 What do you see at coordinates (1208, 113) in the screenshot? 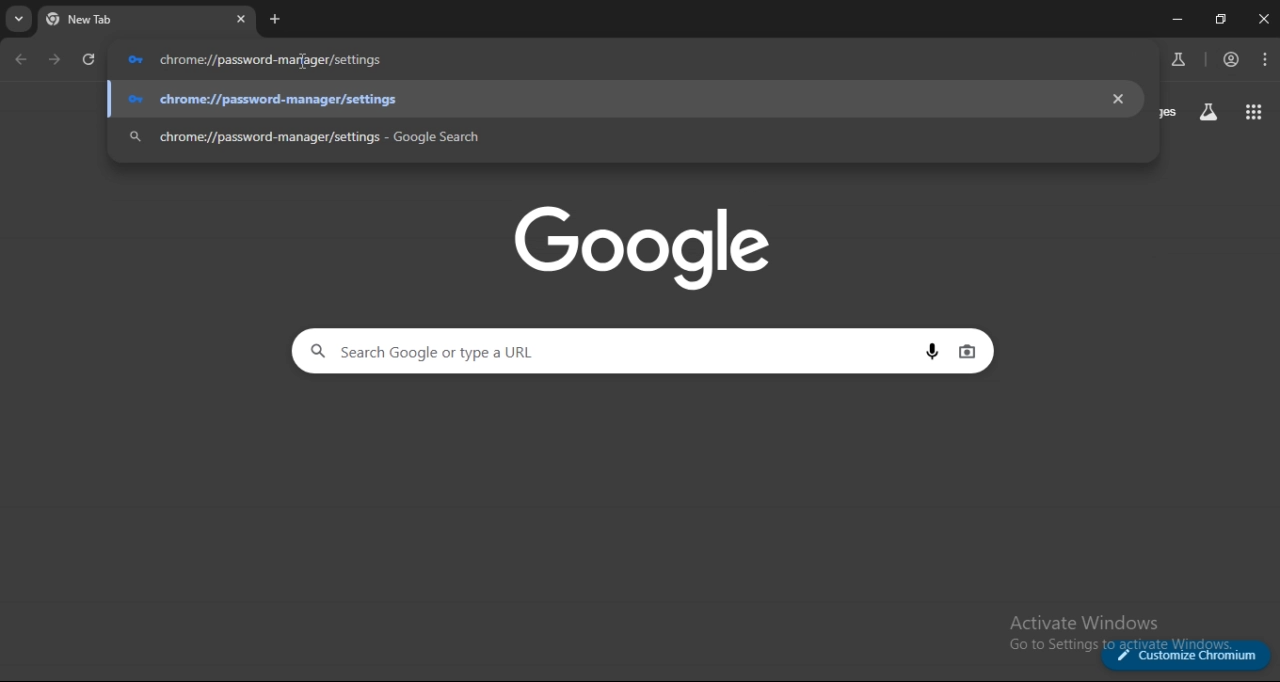
I see `search labs` at bounding box center [1208, 113].